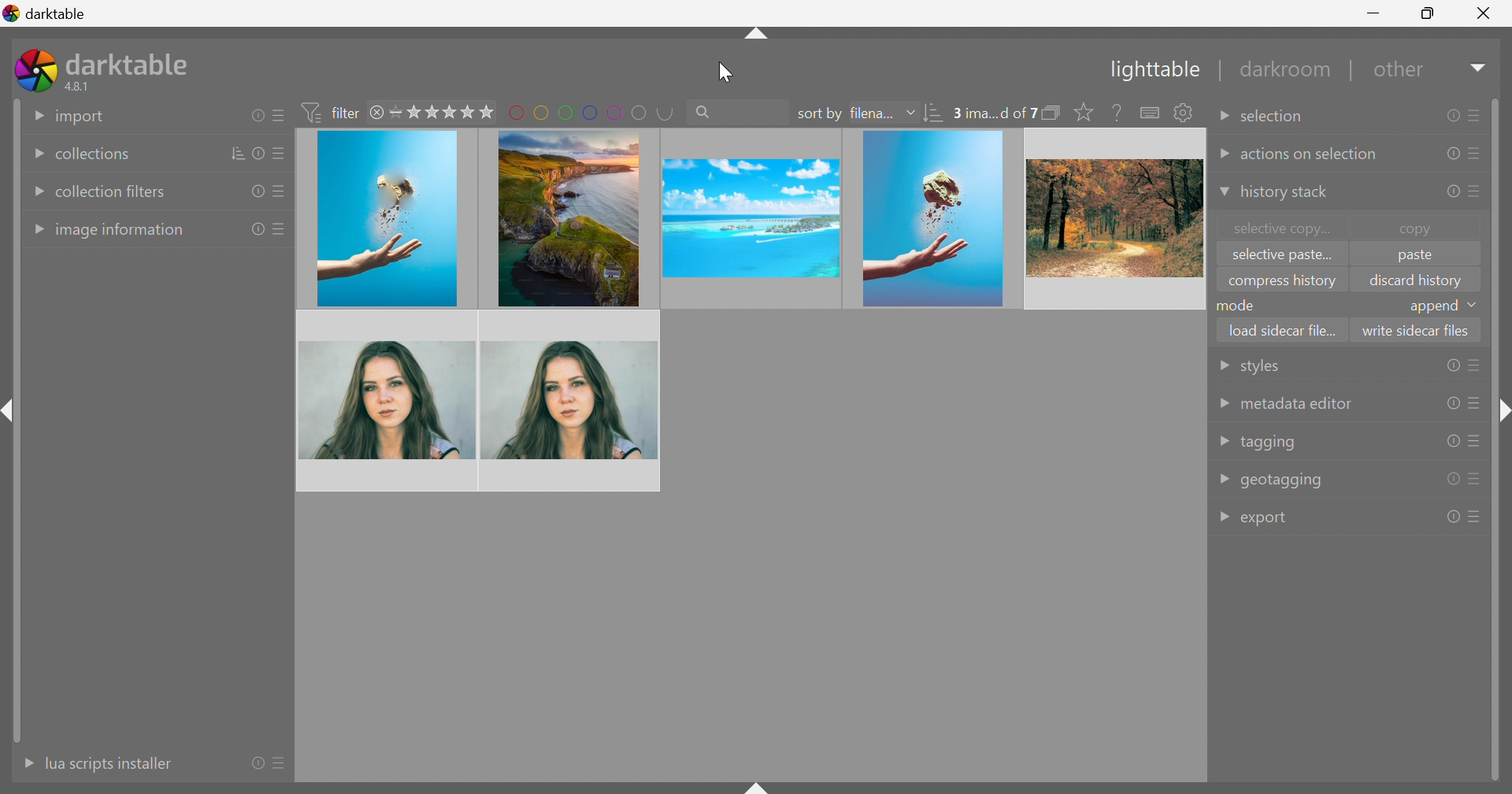 This screenshot has width=1512, height=794. Describe the element at coordinates (280, 155) in the screenshot. I see `presets` at that location.